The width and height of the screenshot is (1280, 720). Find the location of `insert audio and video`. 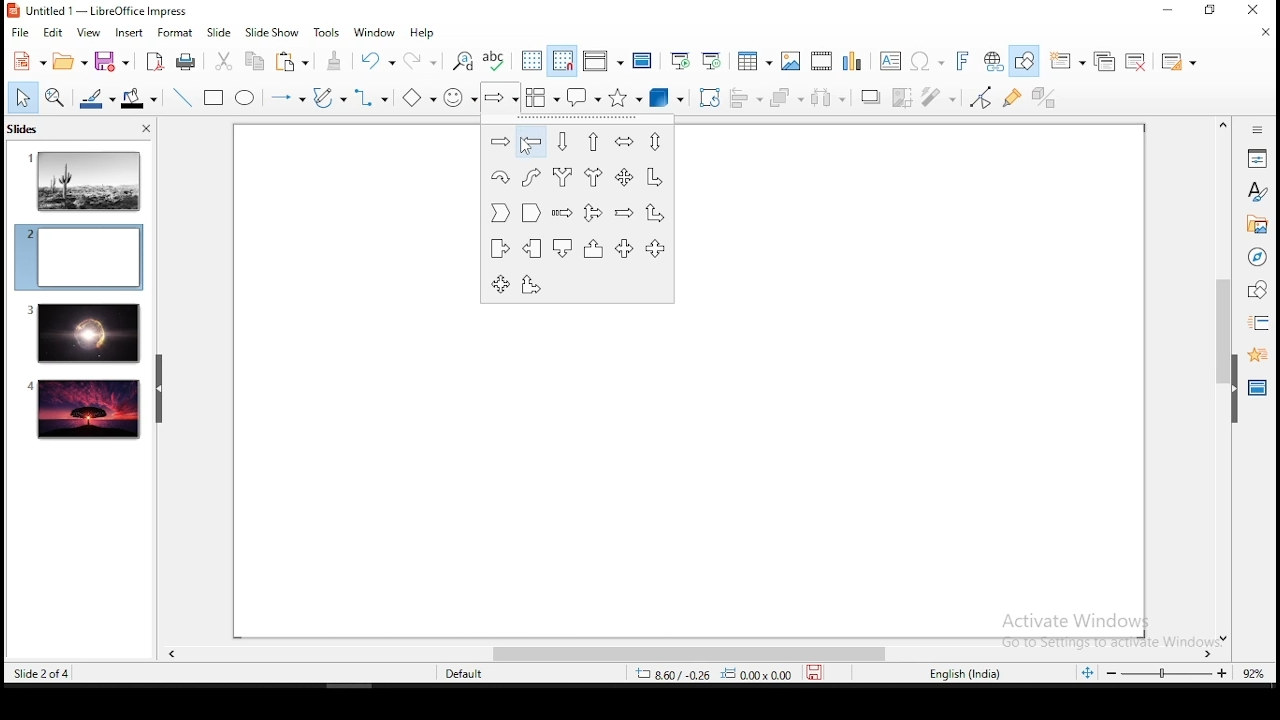

insert audio and video is located at coordinates (823, 62).